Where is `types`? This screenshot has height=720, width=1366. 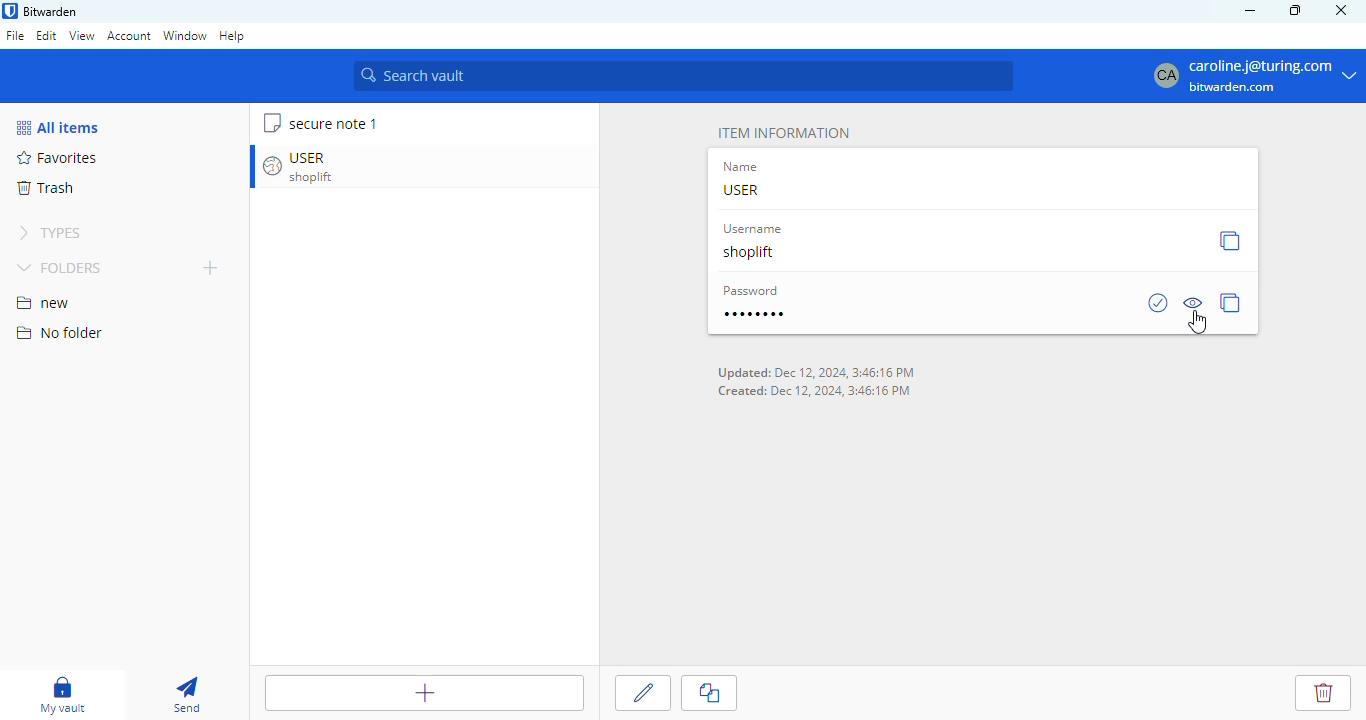 types is located at coordinates (54, 233).